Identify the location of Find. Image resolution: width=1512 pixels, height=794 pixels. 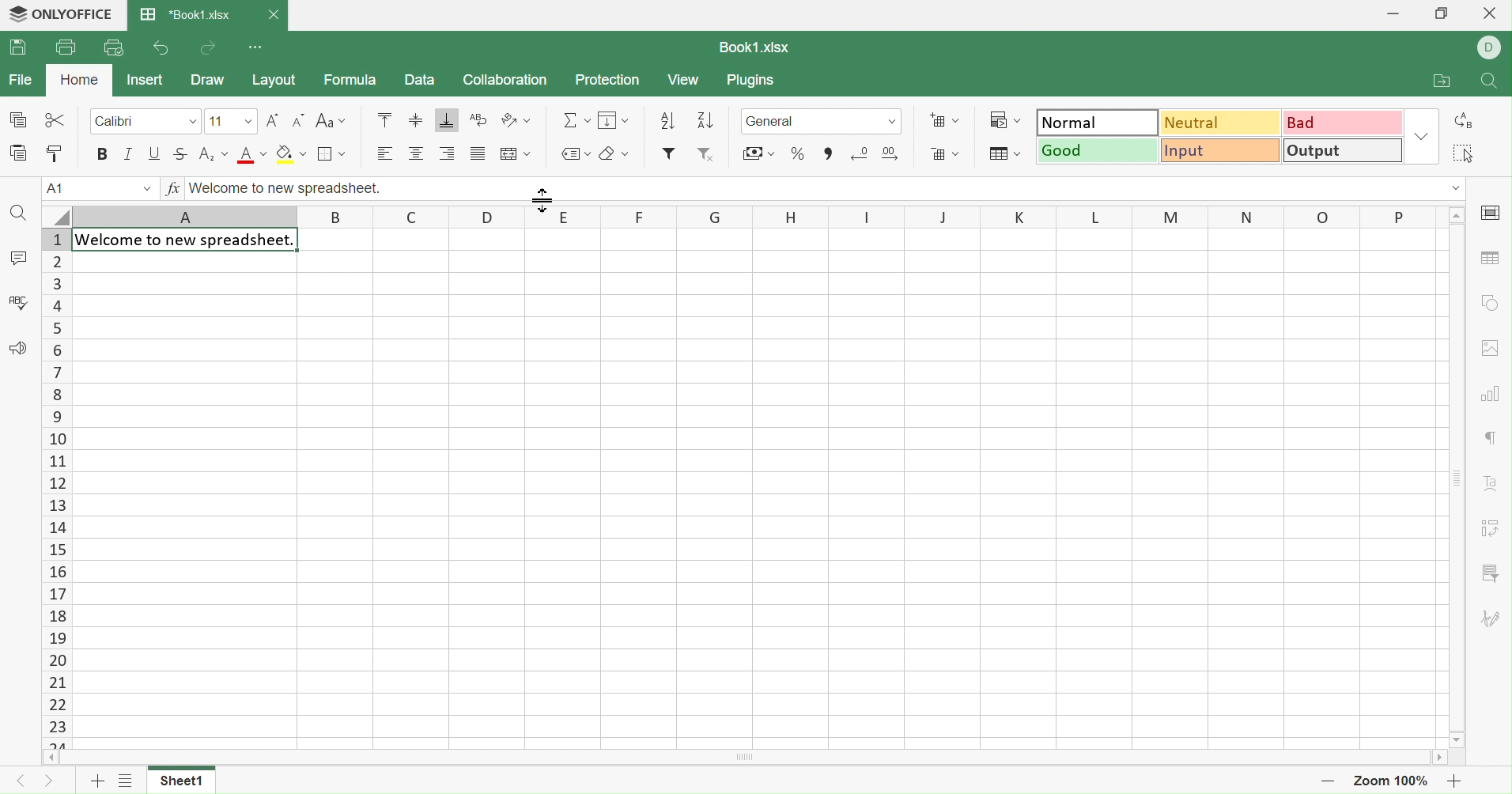
(17, 213).